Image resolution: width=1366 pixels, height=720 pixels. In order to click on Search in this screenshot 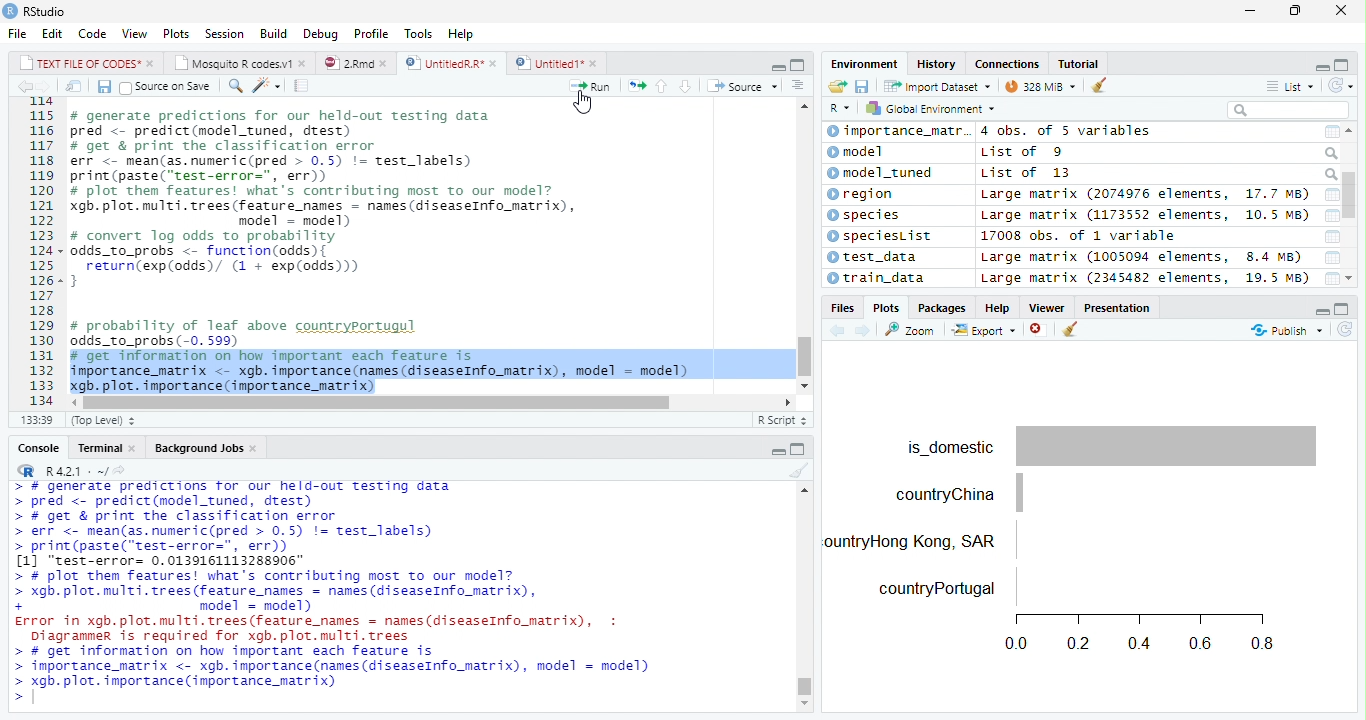, I will do `click(1331, 152)`.